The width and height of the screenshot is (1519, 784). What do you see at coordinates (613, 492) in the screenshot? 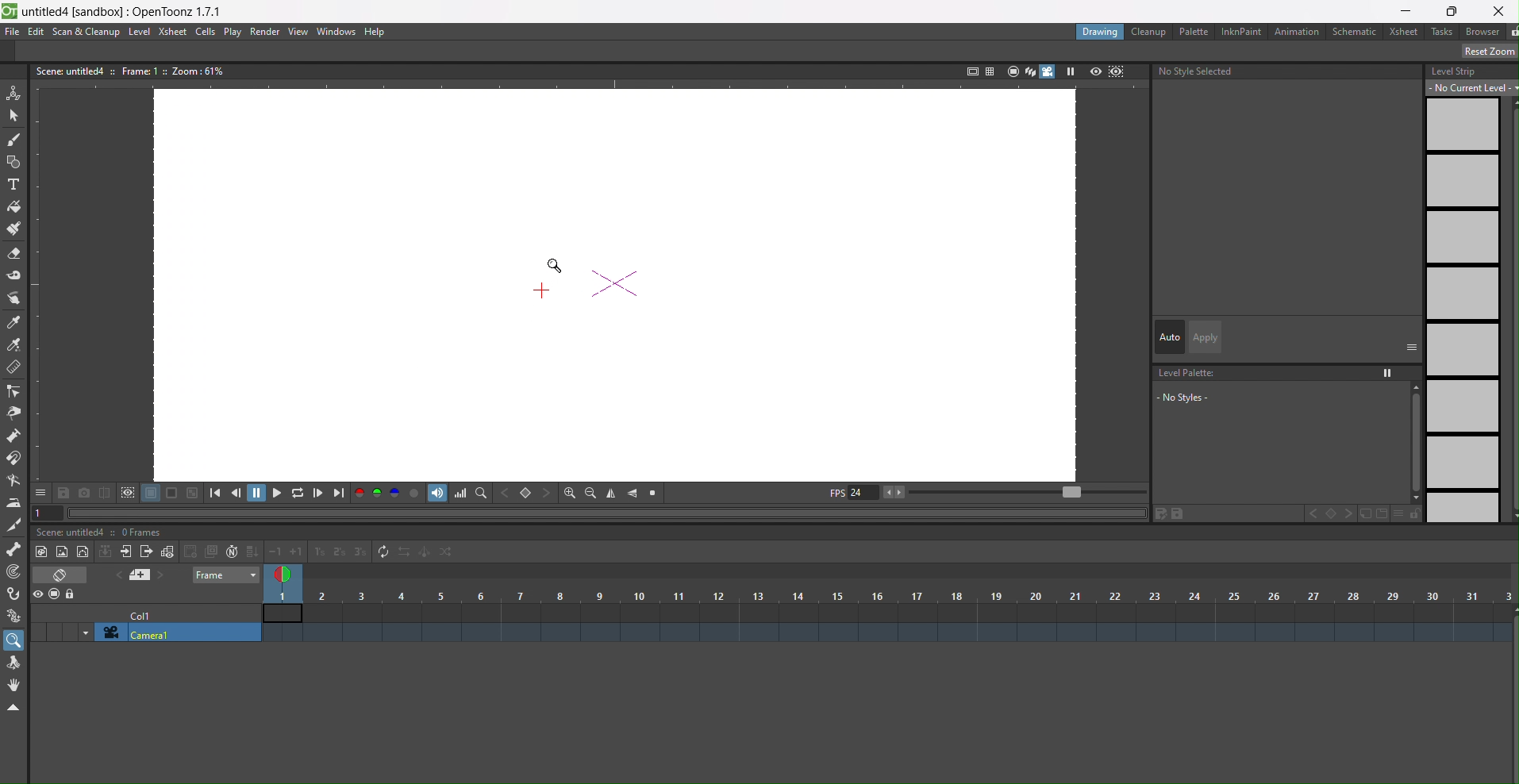
I see `flip vertical` at bounding box center [613, 492].